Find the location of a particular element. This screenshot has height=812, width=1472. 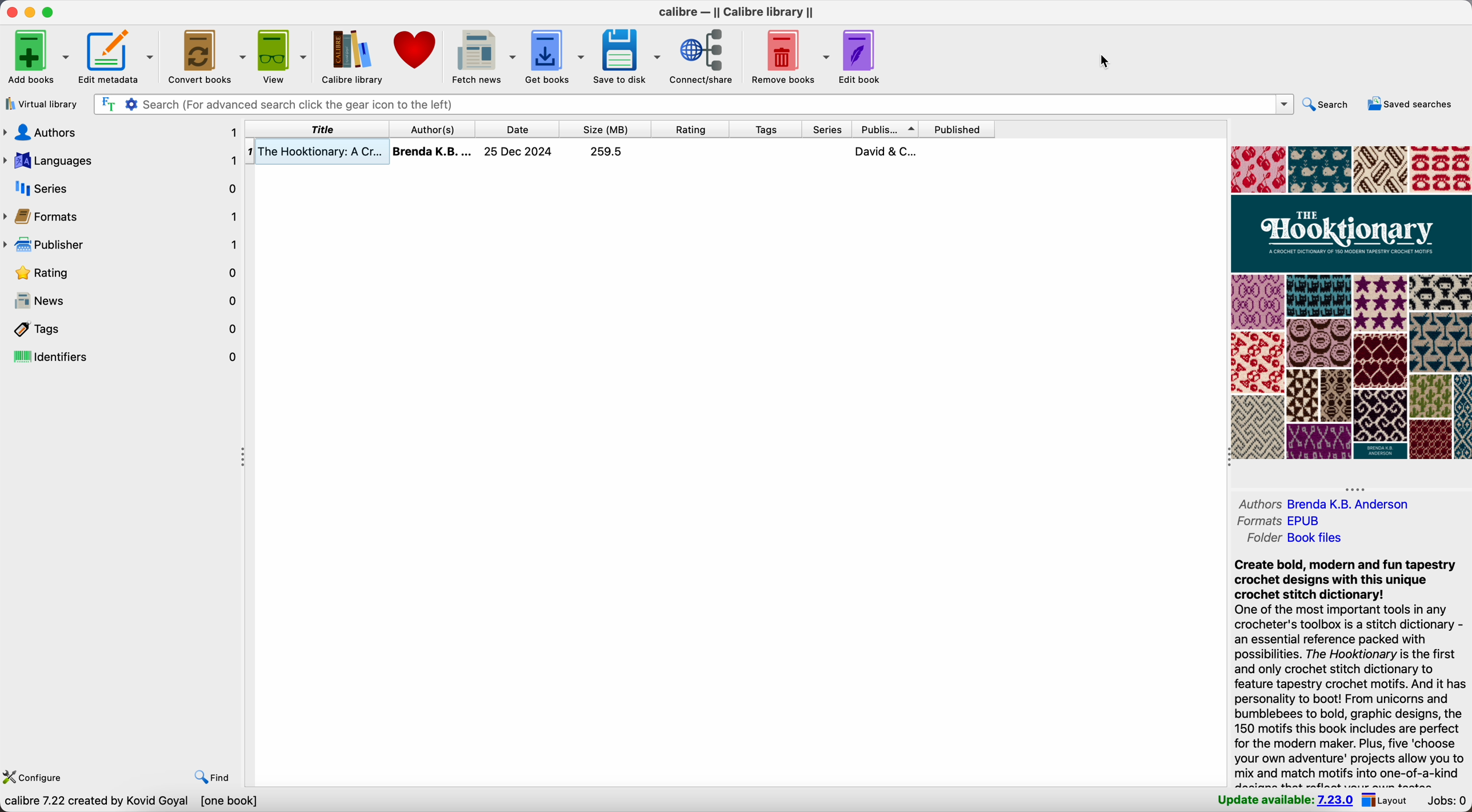

tags is located at coordinates (765, 130).